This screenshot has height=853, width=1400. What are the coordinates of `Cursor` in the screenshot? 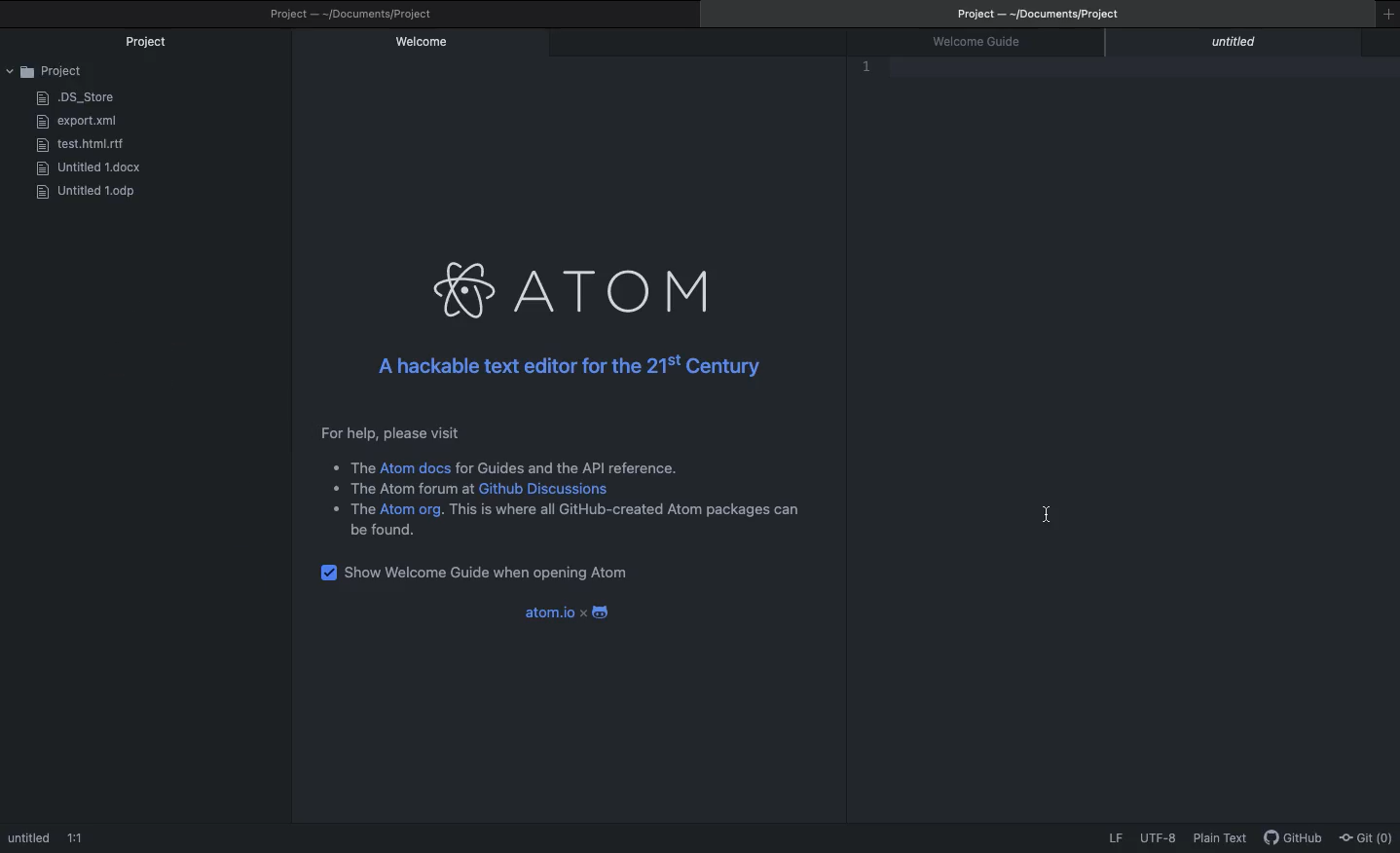 It's located at (1045, 515).